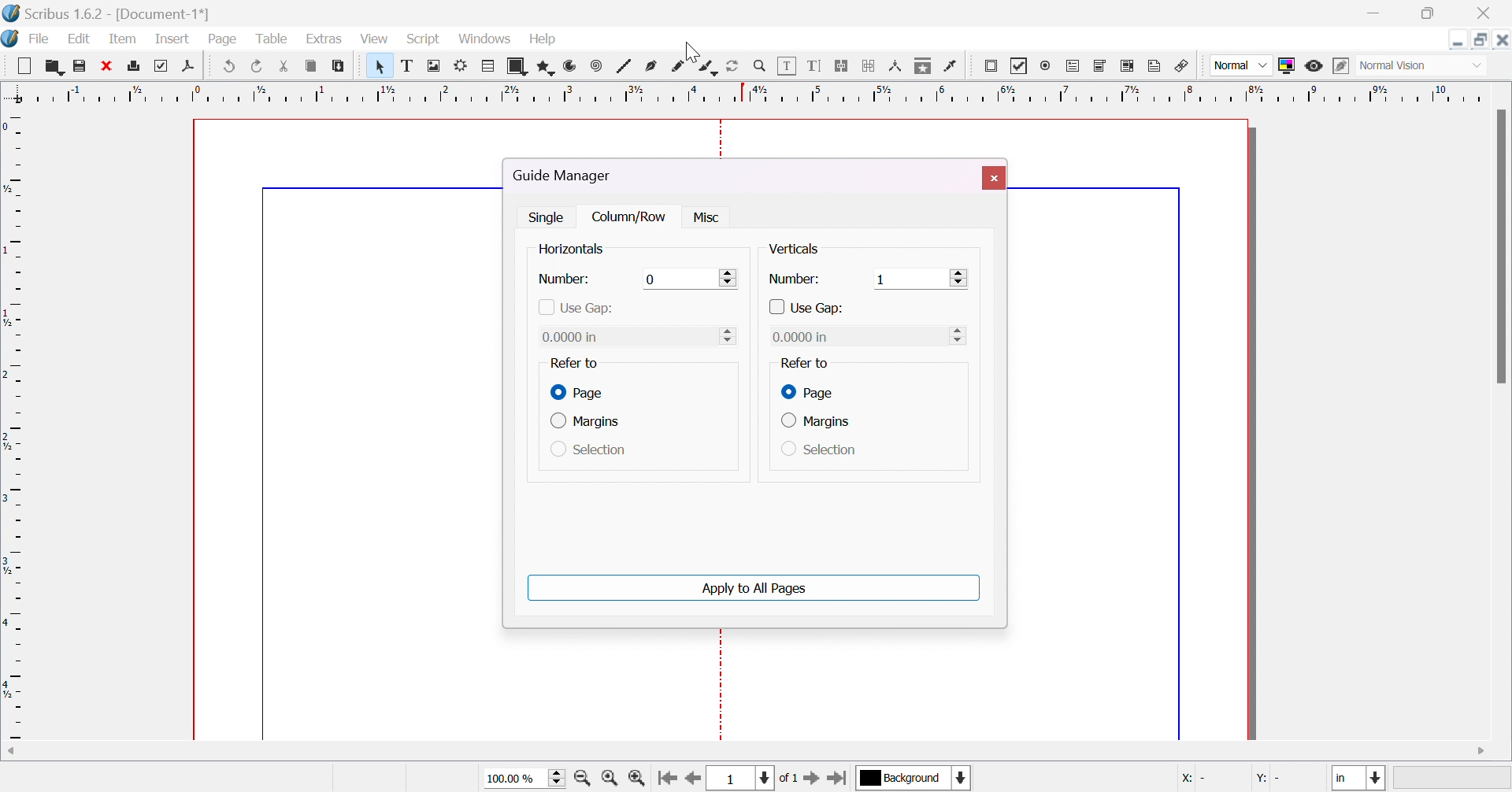 This screenshot has width=1512, height=792. I want to click on margins, so click(590, 423).